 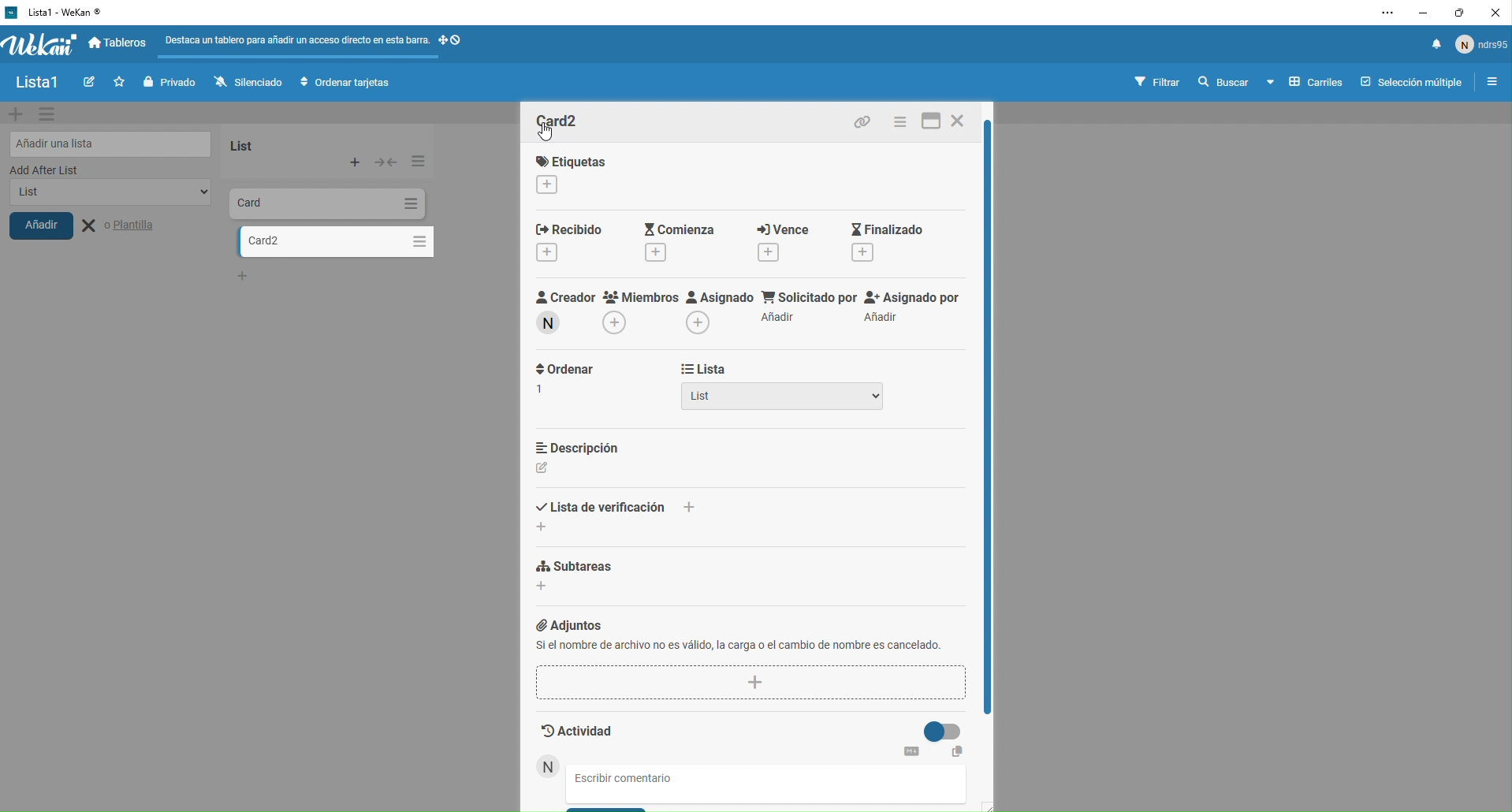 I want to click on Escribir comentario, so click(x=639, y=779).